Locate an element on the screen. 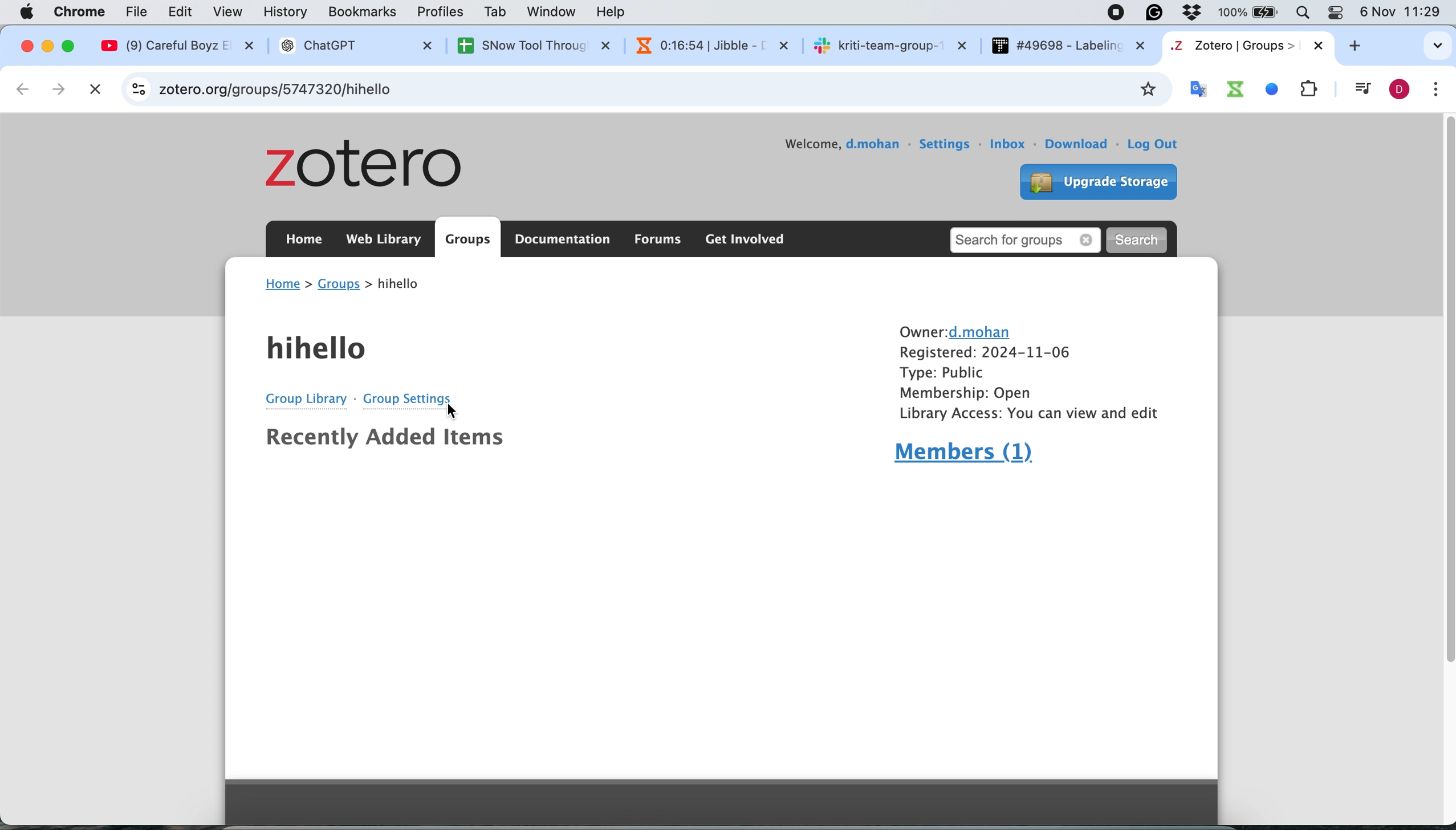  customise is located at coordinates (1436, 90).